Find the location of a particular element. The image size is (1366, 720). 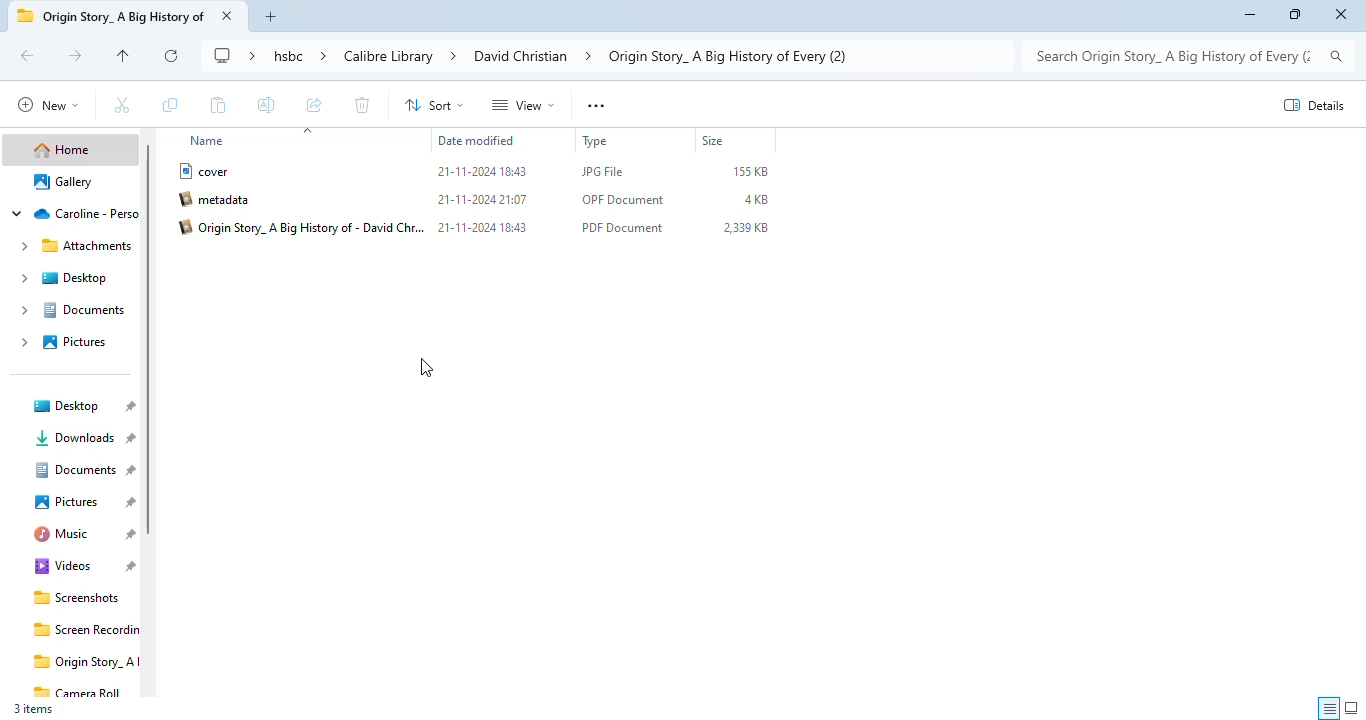

pictures is located at coordinates (60, 342).